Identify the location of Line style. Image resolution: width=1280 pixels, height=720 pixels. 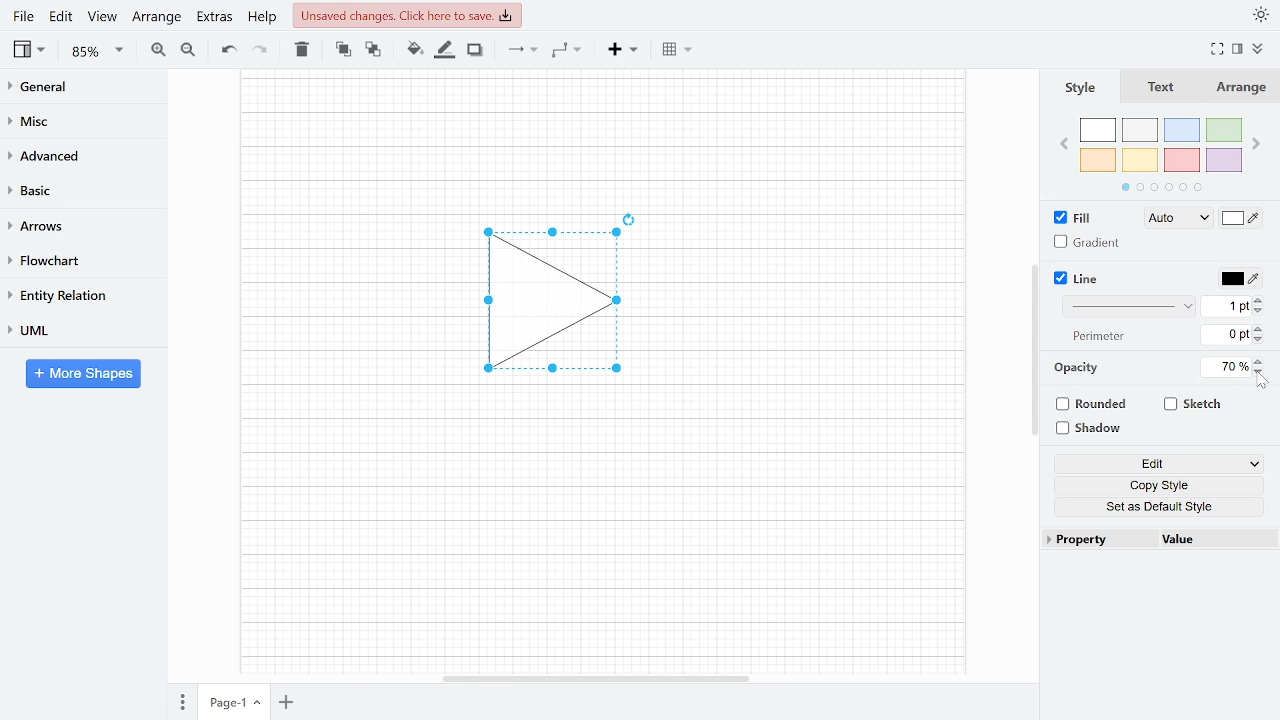
(1132, 306).